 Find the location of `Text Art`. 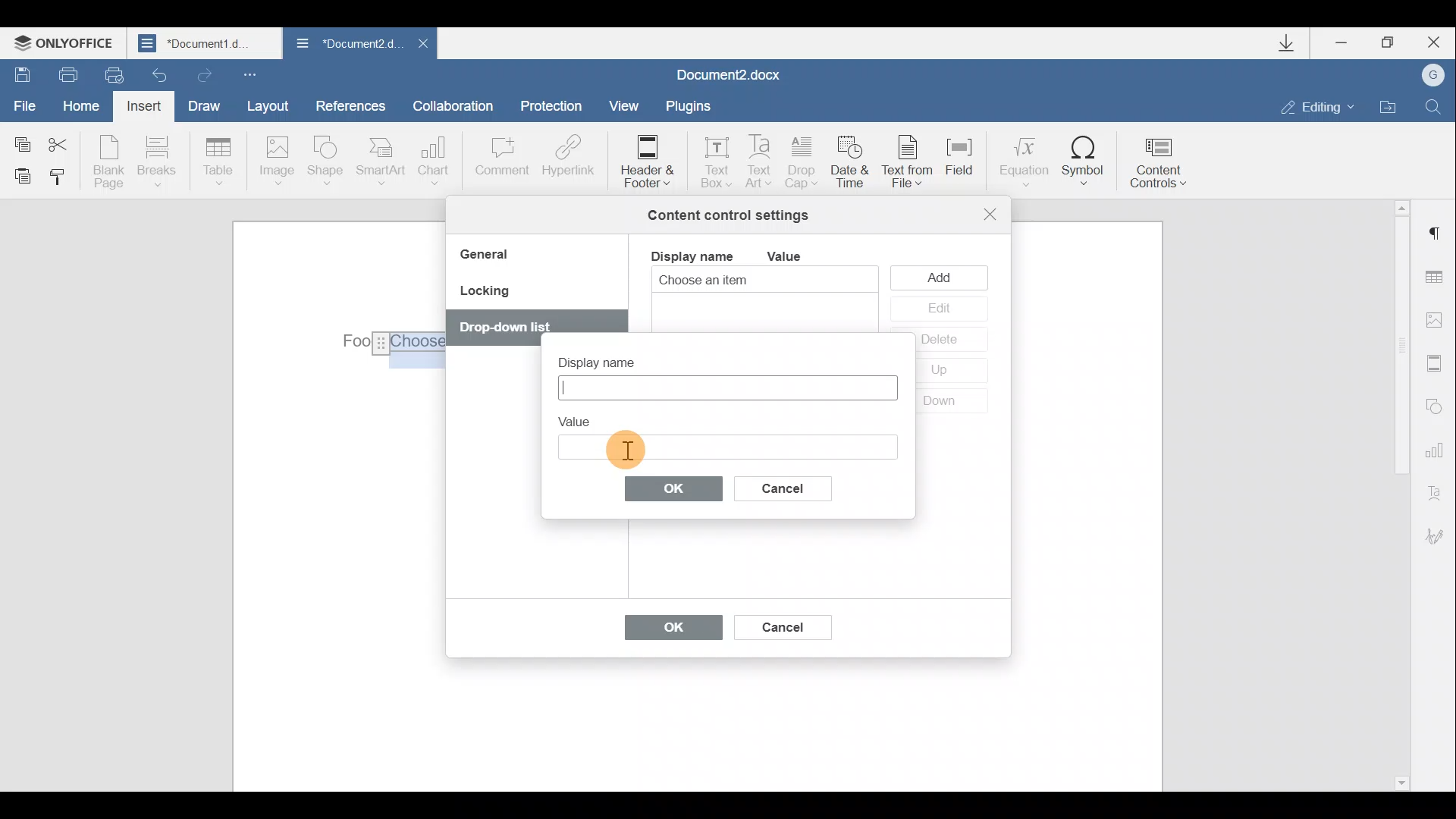

Text Art is located at coordinates (761, 162).